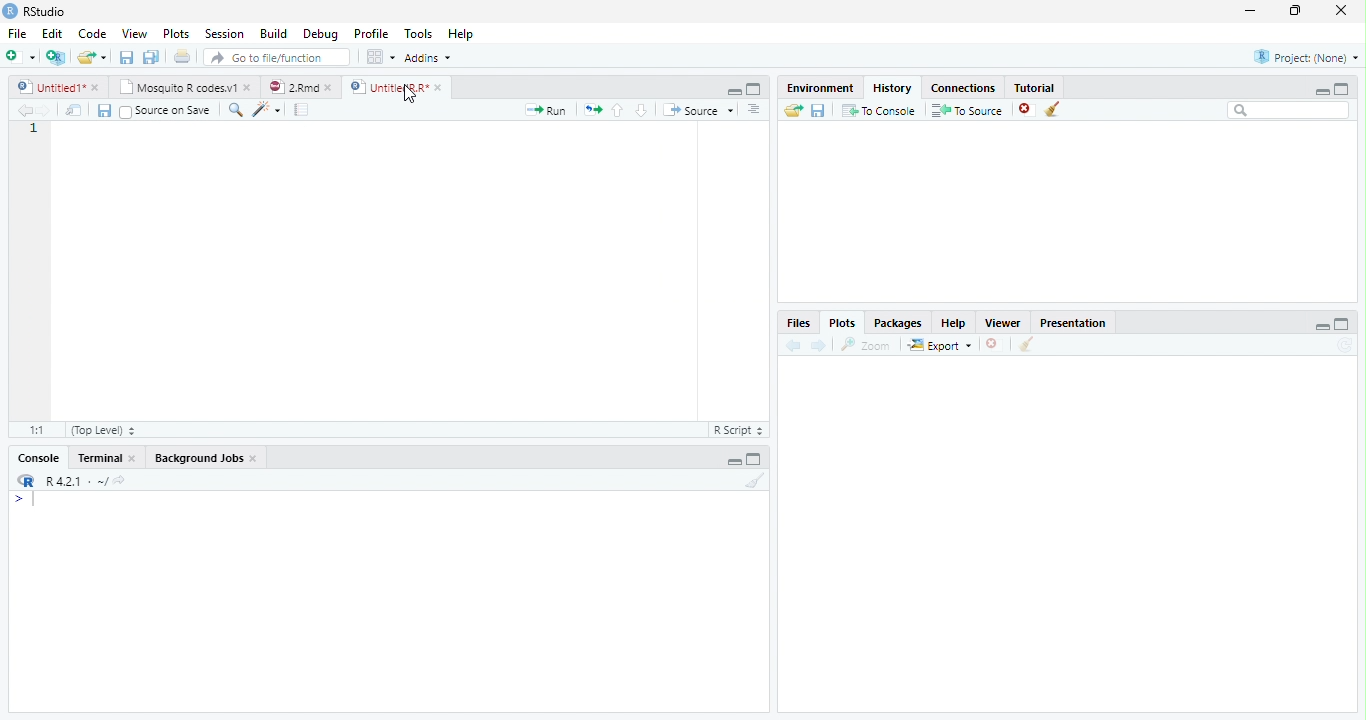 The image size is (1366, 720). What do you see at coordinates (893, 88) in the screenshot?
I see `History` at bounding box center [893, 88].